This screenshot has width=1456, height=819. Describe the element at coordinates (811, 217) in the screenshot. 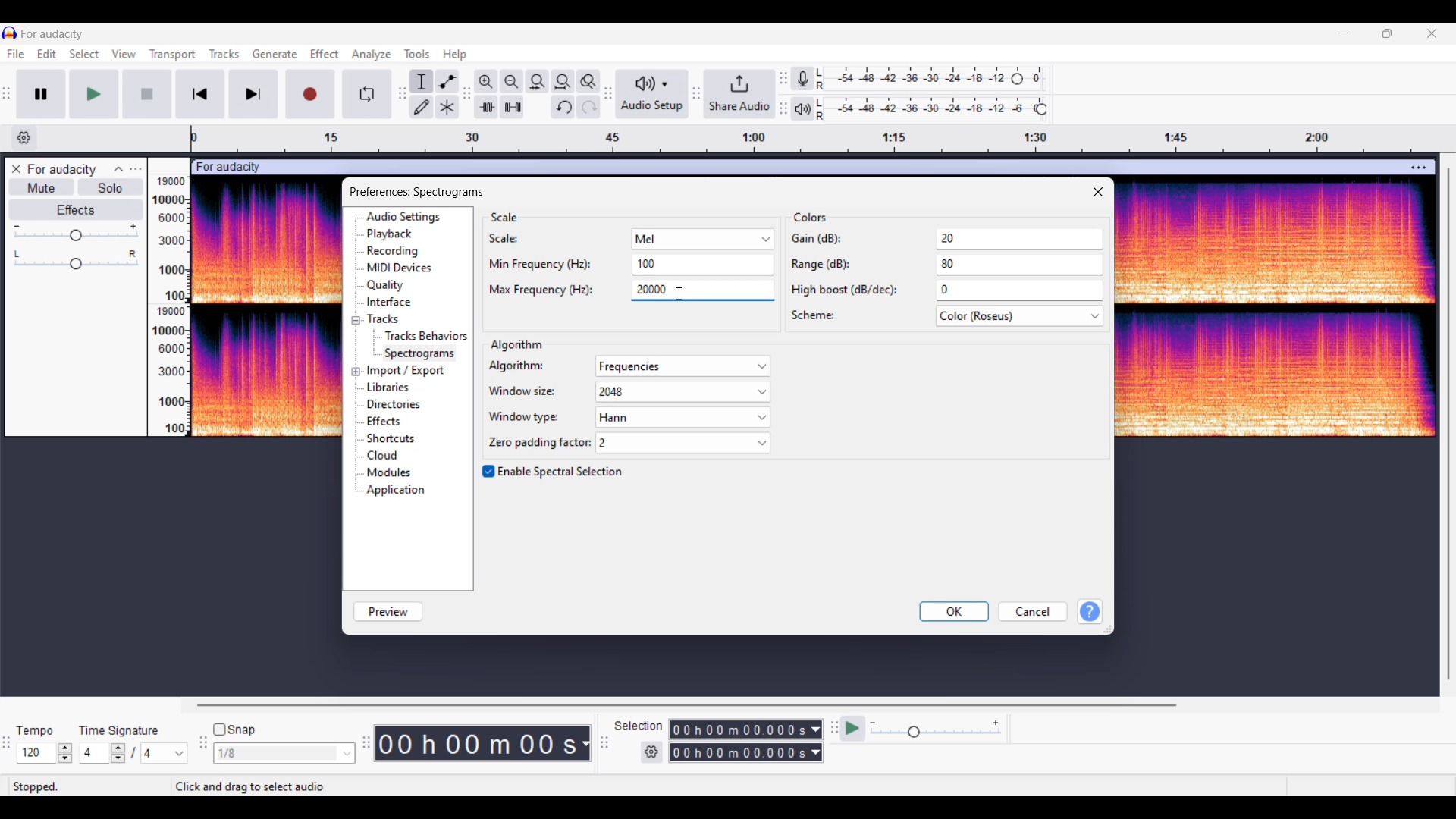

I see `Section title` at that location.